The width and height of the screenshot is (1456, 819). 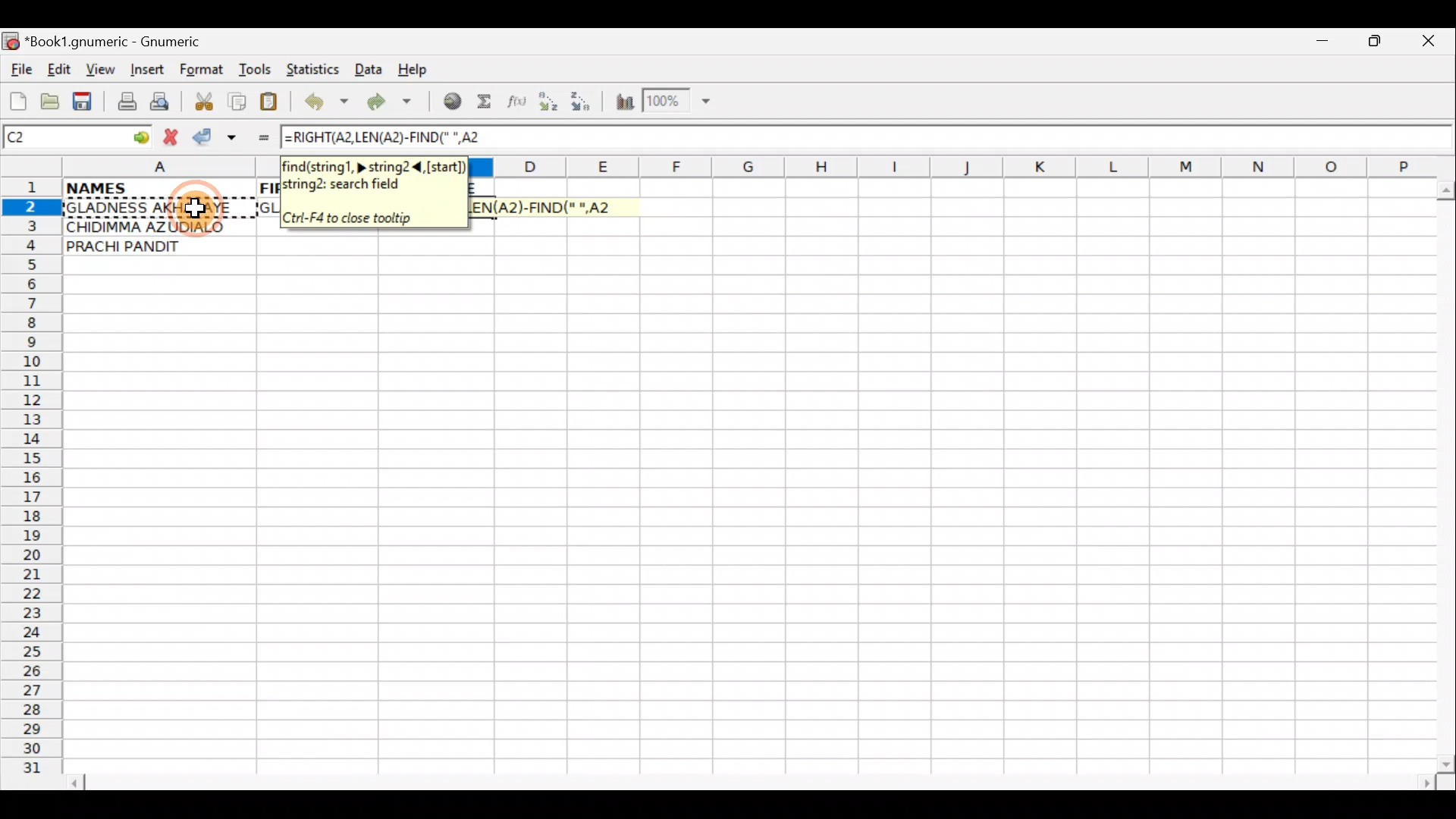 I want to click on Data, so click(x=369, y=68).